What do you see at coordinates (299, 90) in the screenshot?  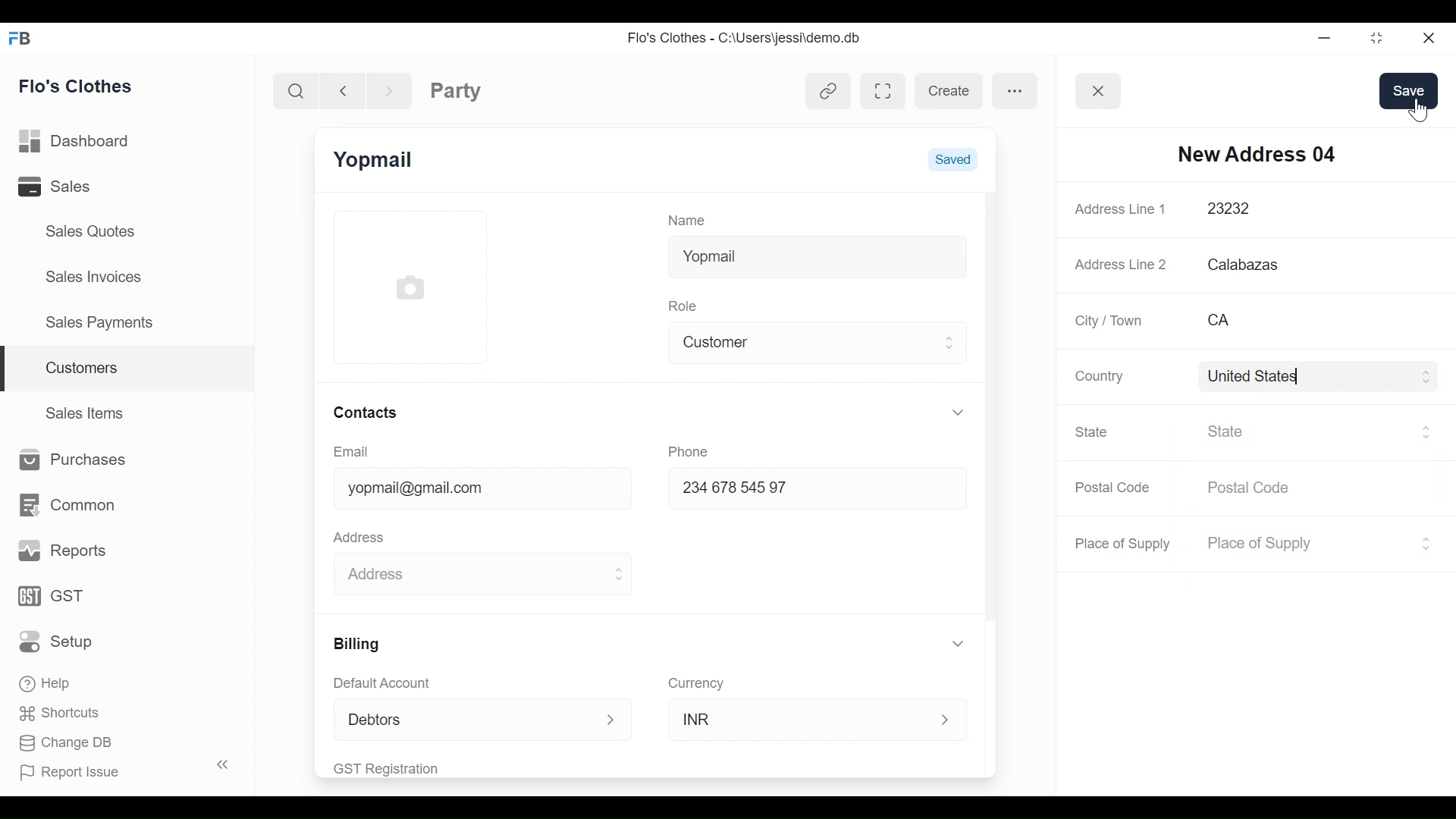 I see `Search` at bounding box center [299, 90].